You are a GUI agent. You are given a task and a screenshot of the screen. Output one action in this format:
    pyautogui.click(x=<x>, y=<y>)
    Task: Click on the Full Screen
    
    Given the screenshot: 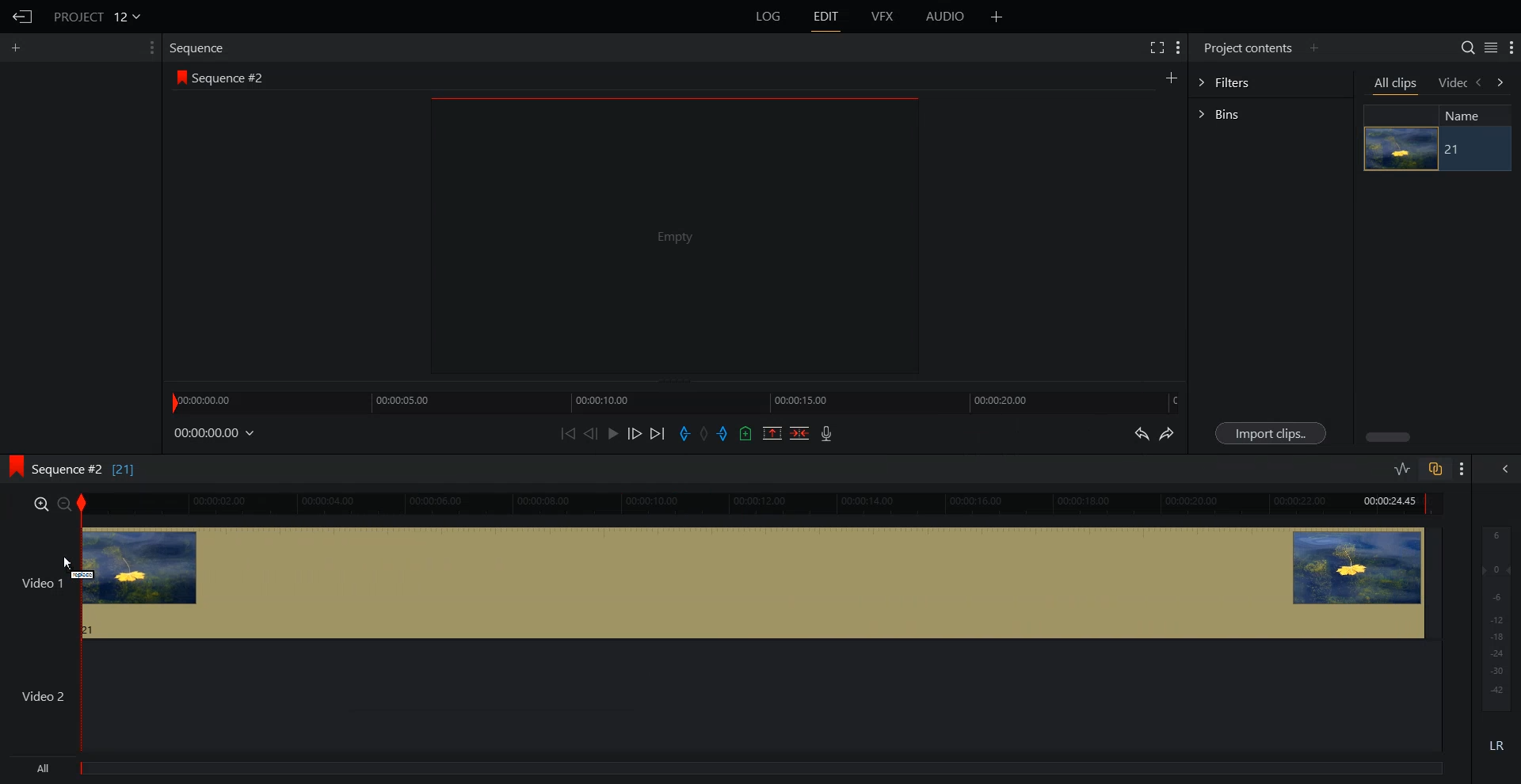 What is the action you would take?
    pyautogui.click(x=1158, y=48)
    